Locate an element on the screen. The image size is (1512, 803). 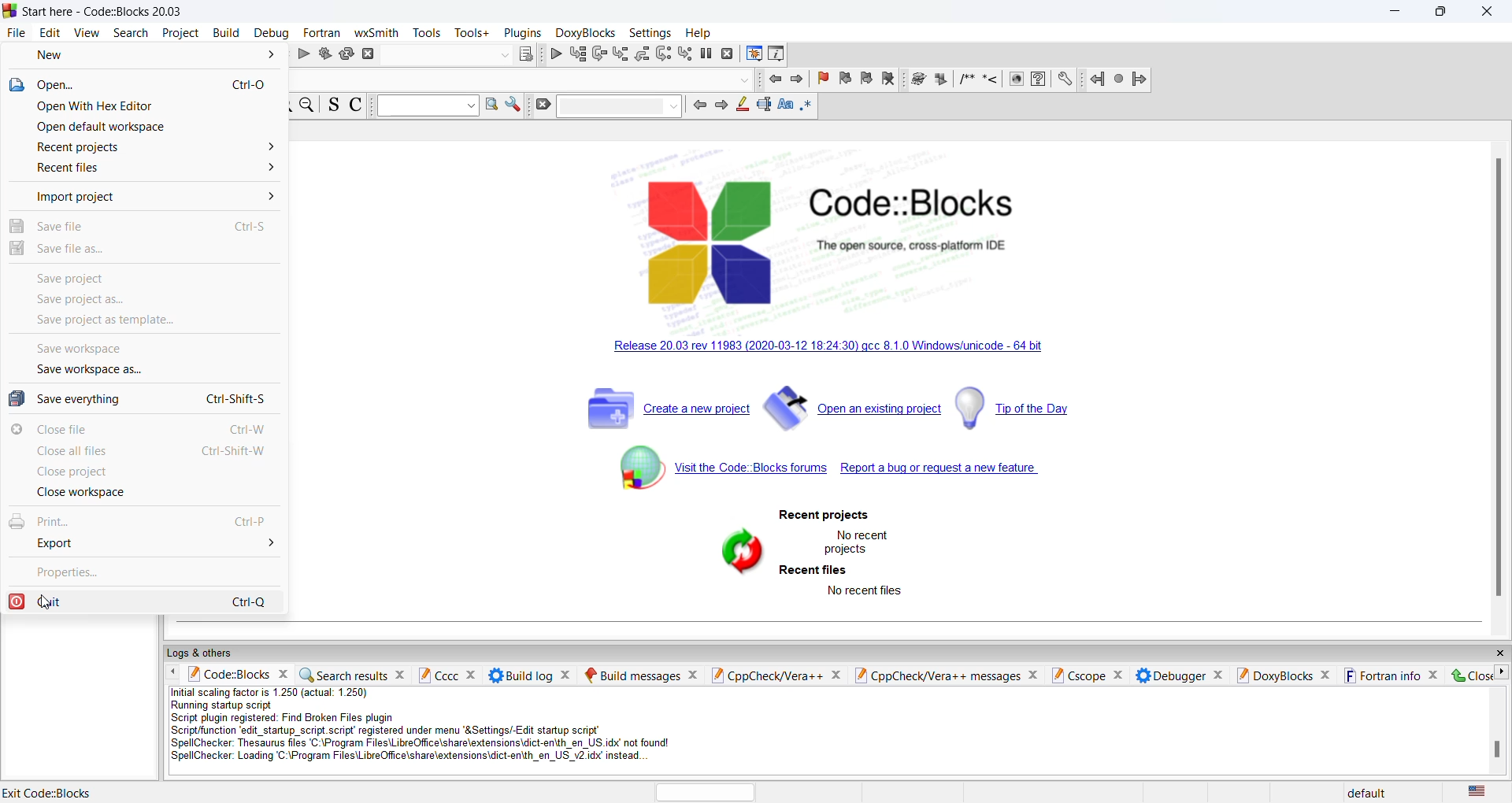
dropdown is located at coordinates (502, 55).